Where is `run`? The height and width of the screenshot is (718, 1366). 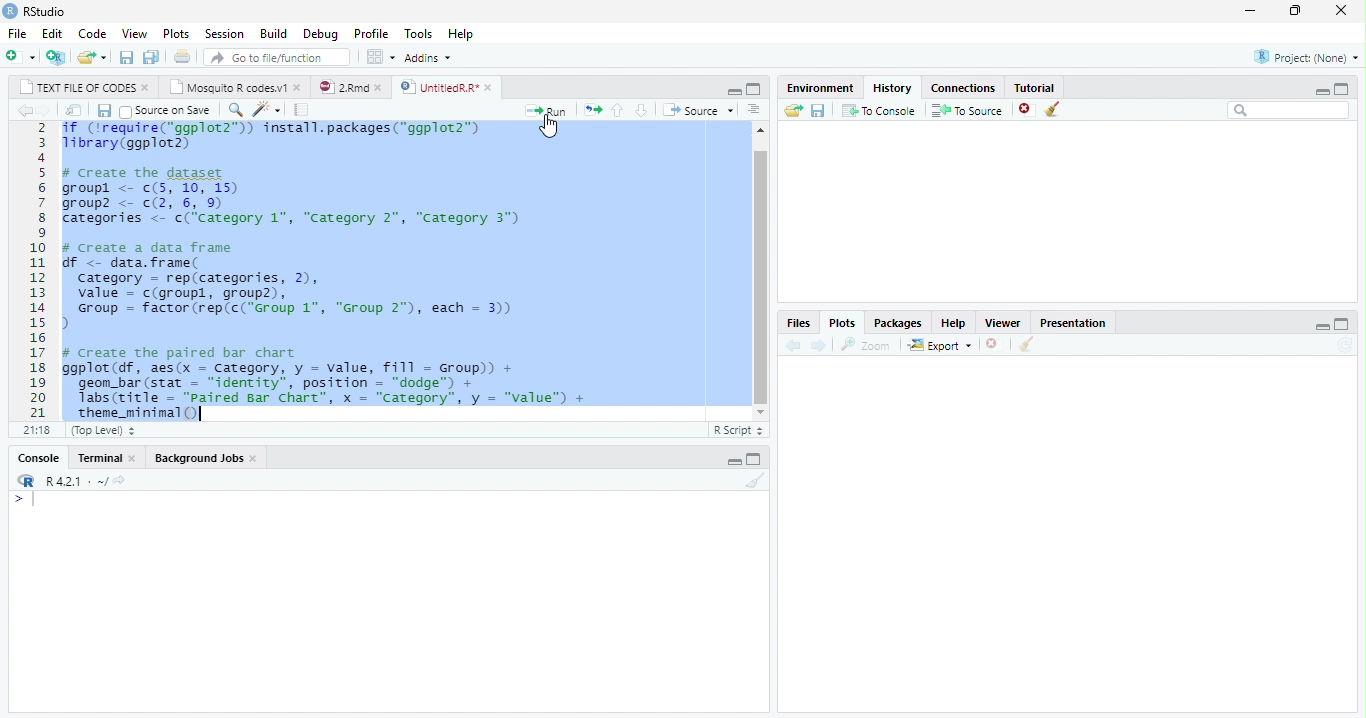 run is located at coordinates (549, 109).